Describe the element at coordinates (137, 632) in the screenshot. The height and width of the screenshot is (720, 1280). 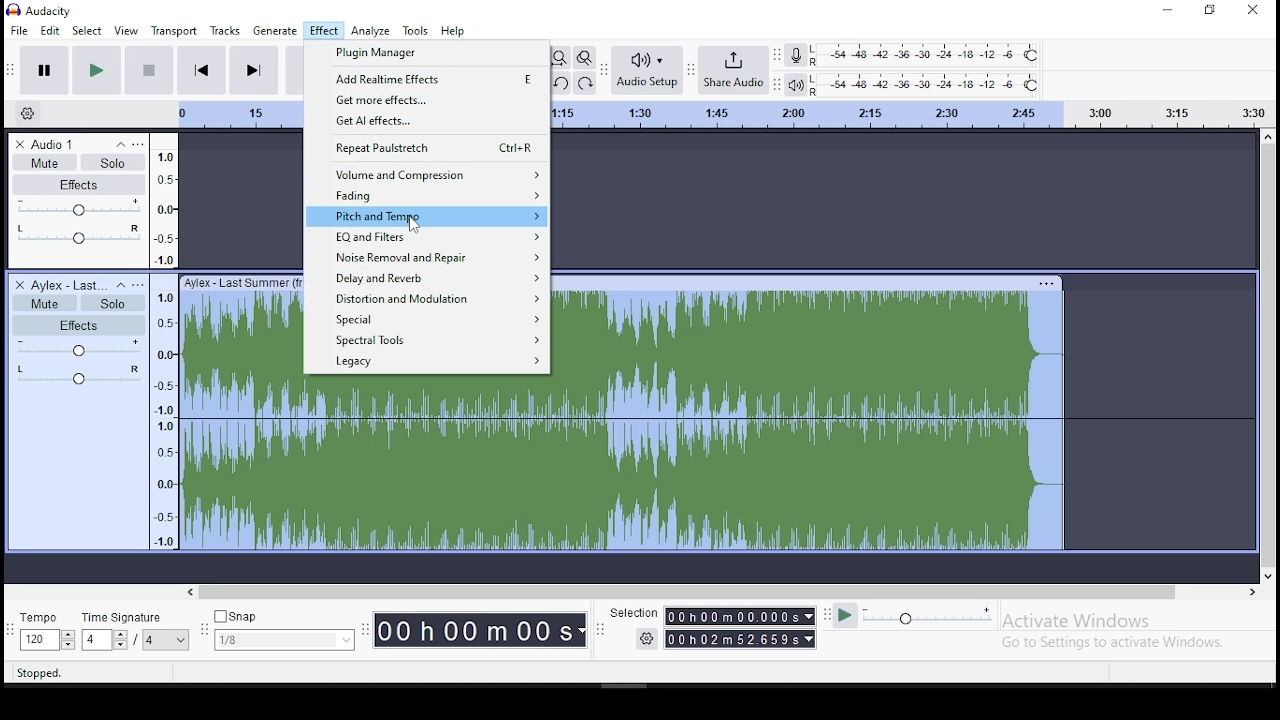
I see `time signature` at that location.